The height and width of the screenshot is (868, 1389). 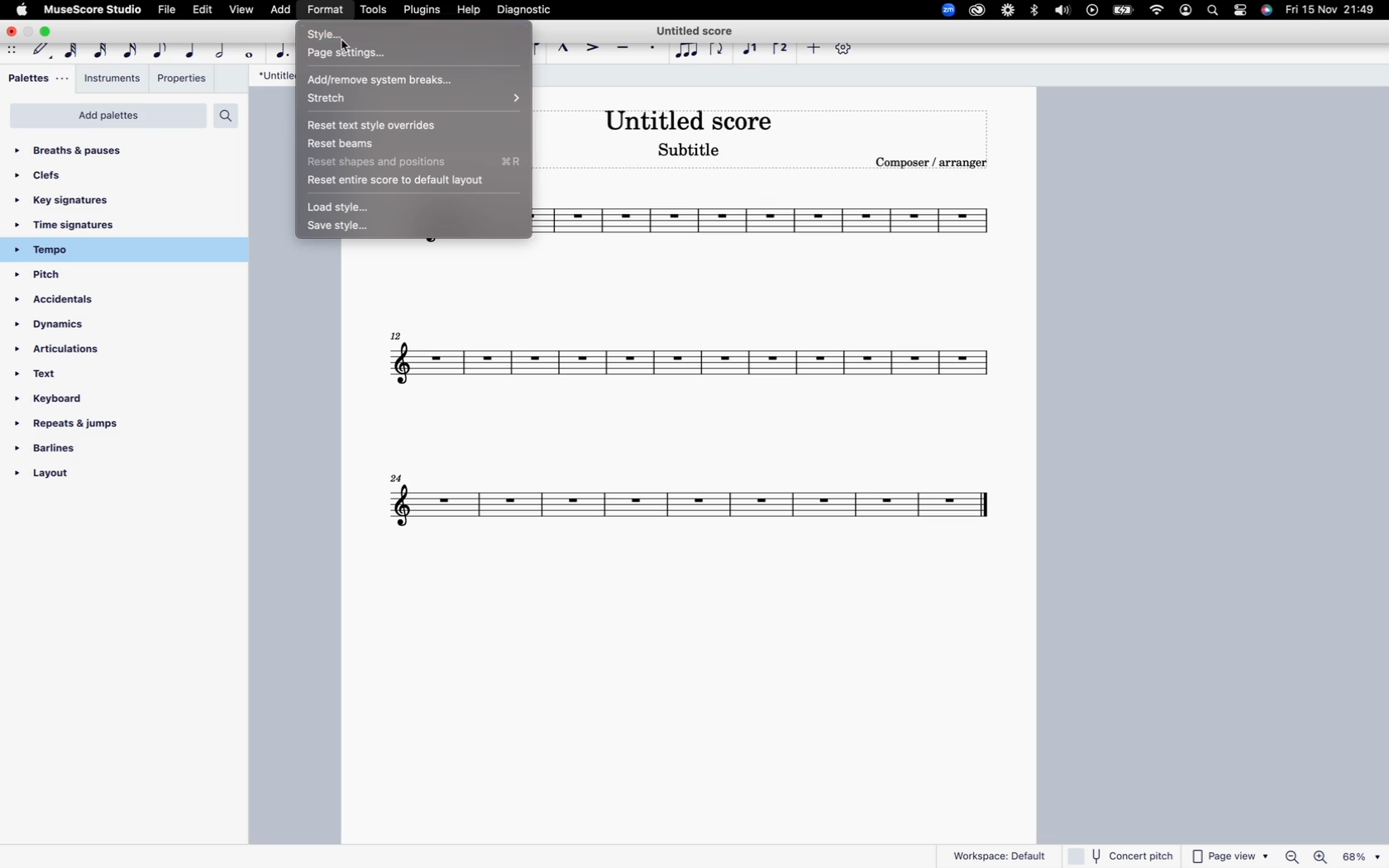 What do you see at coordinates (342, 227) in the screenshot?
I see `save style` at bounding box center [342, 227].